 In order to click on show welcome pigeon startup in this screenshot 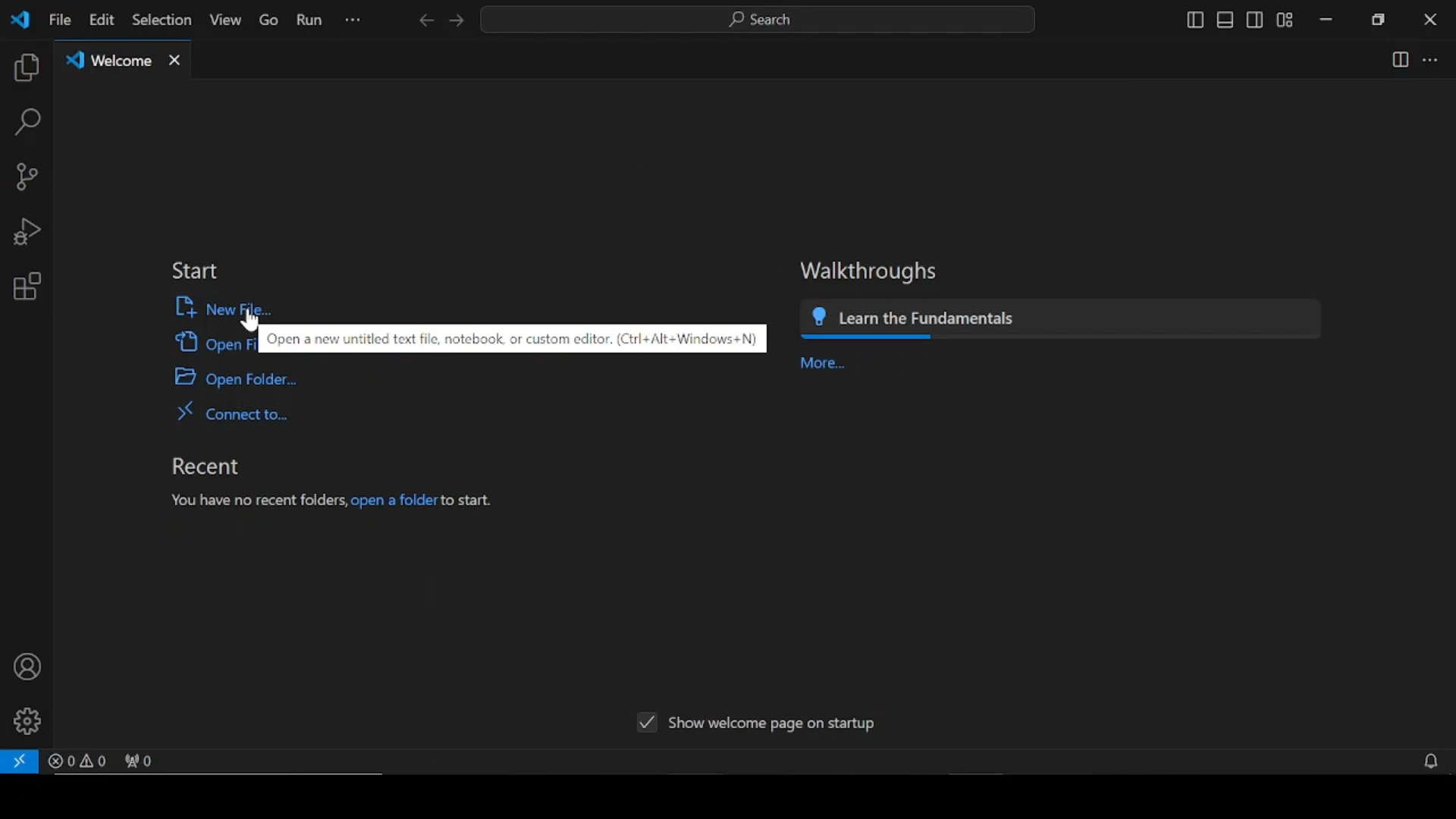, I will do `click(758, 723)`.